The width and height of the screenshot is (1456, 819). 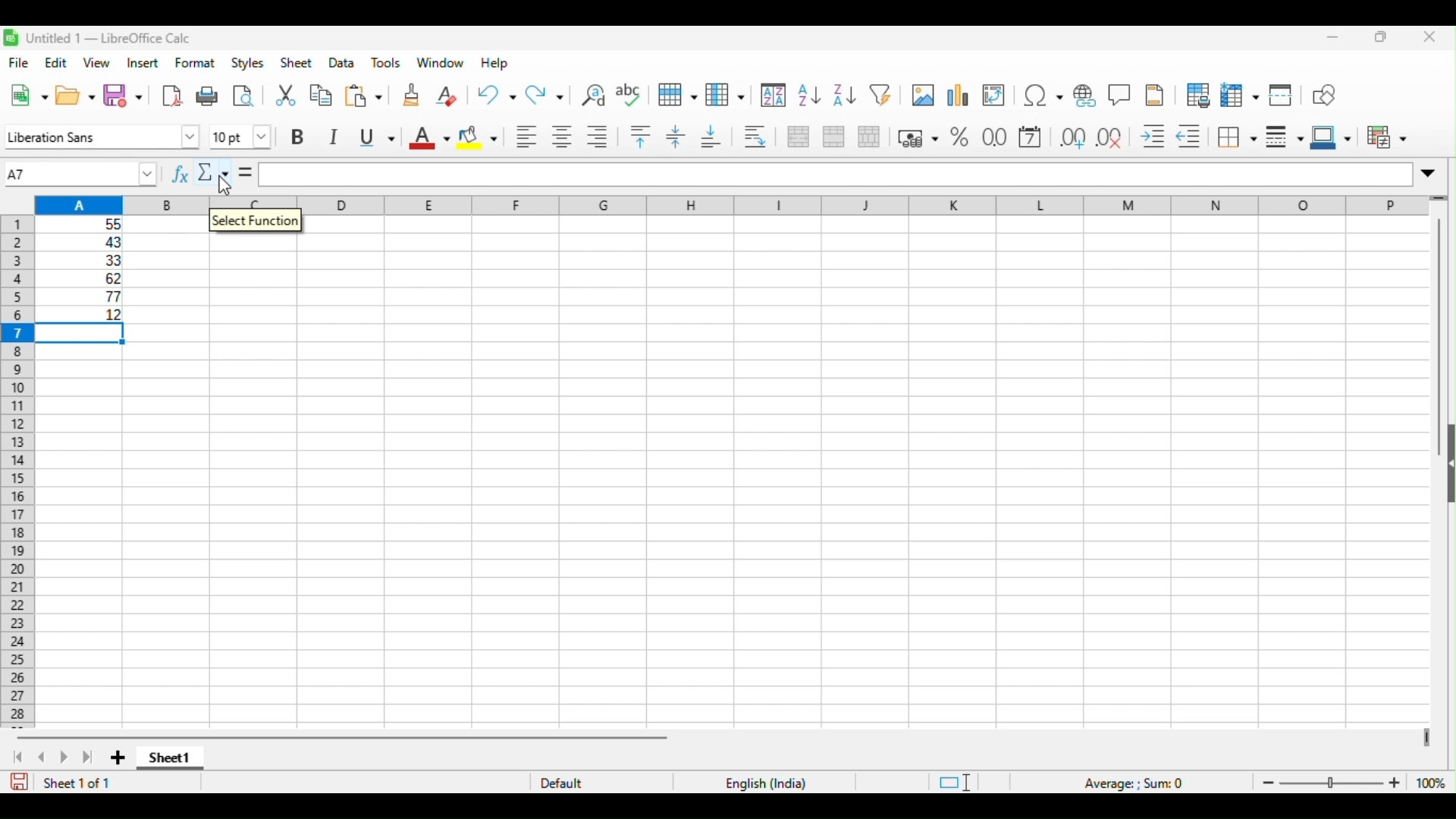 I want to click on sort, so click(x=773, y=95).